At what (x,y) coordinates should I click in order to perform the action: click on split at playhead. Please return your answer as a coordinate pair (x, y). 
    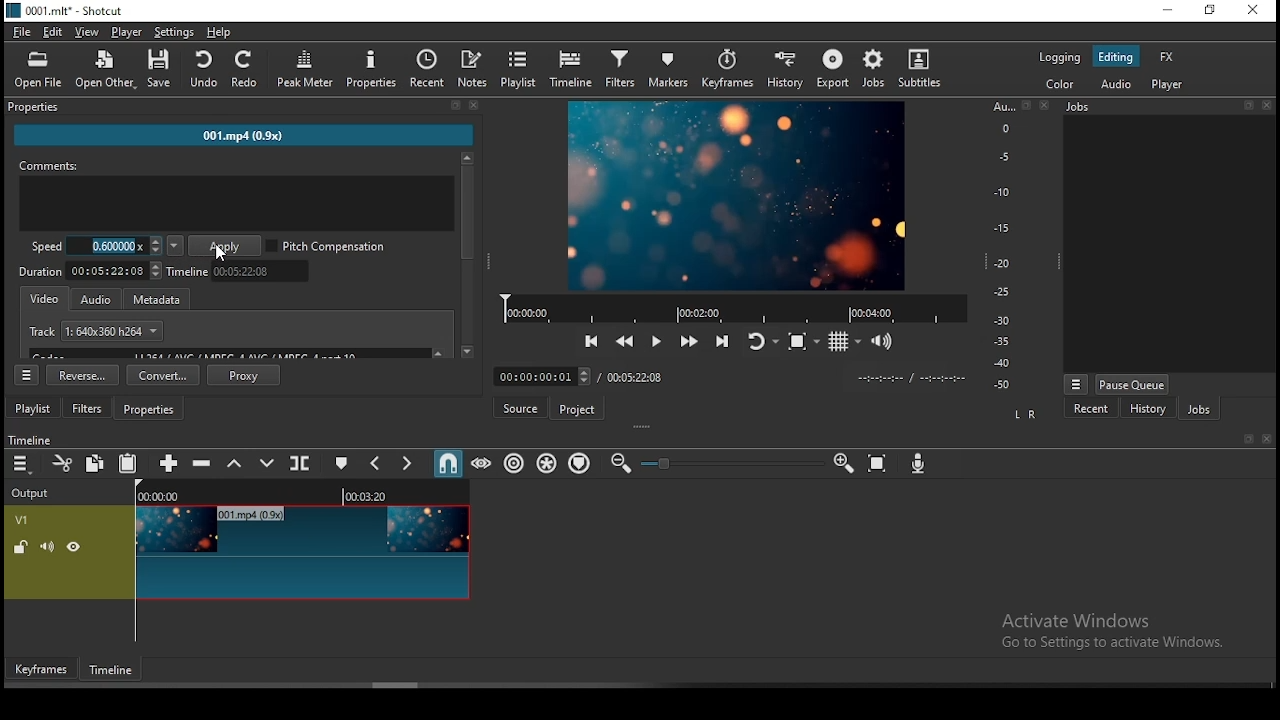
    Looking at the image, I should click on (299, 464).